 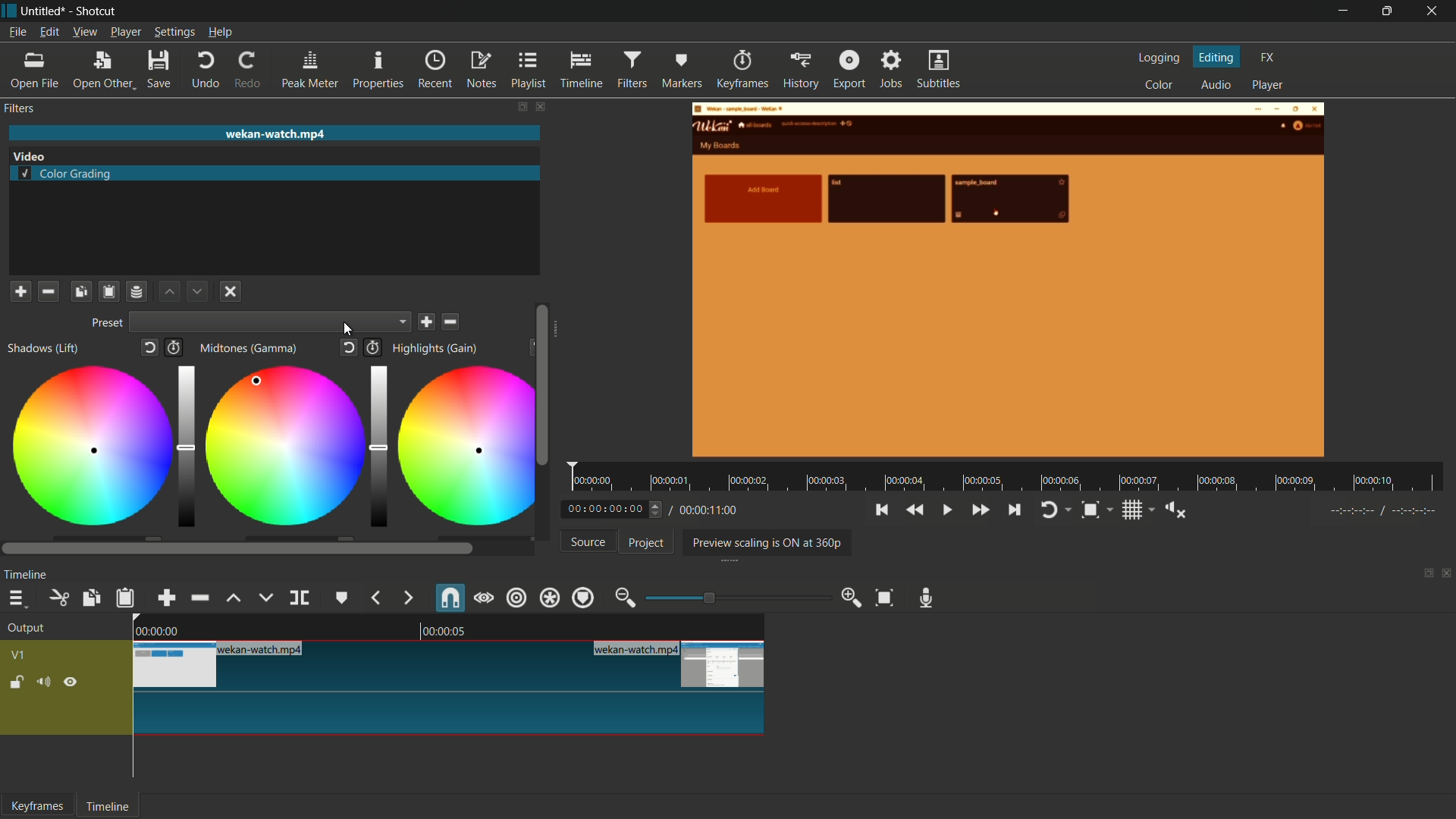 What do you see at coordinates (1391, 513) in the screenshot?
I see `----:-- /` at bounding box center [1391, 513].